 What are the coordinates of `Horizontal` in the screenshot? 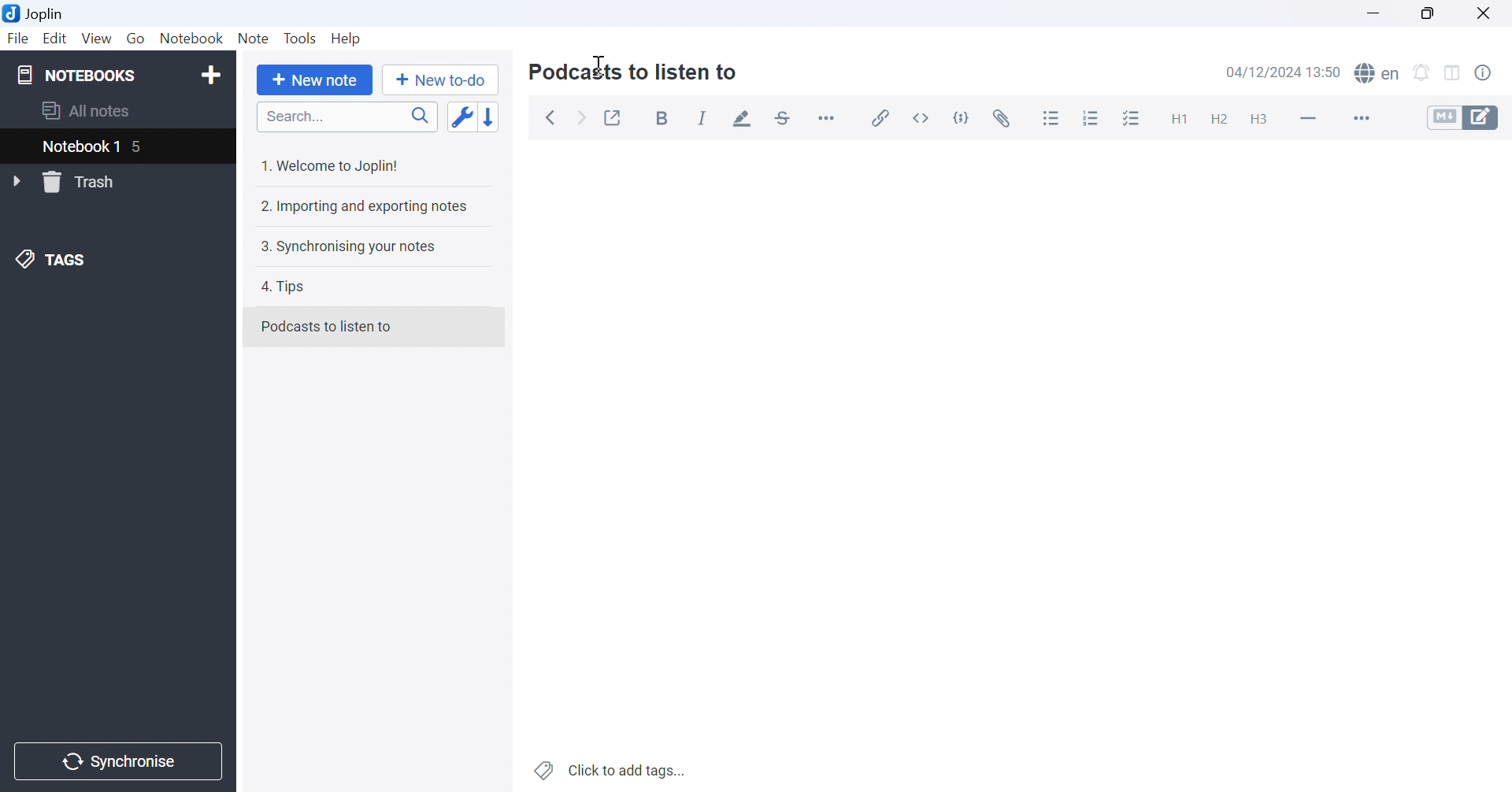 It's located at (828, 117).